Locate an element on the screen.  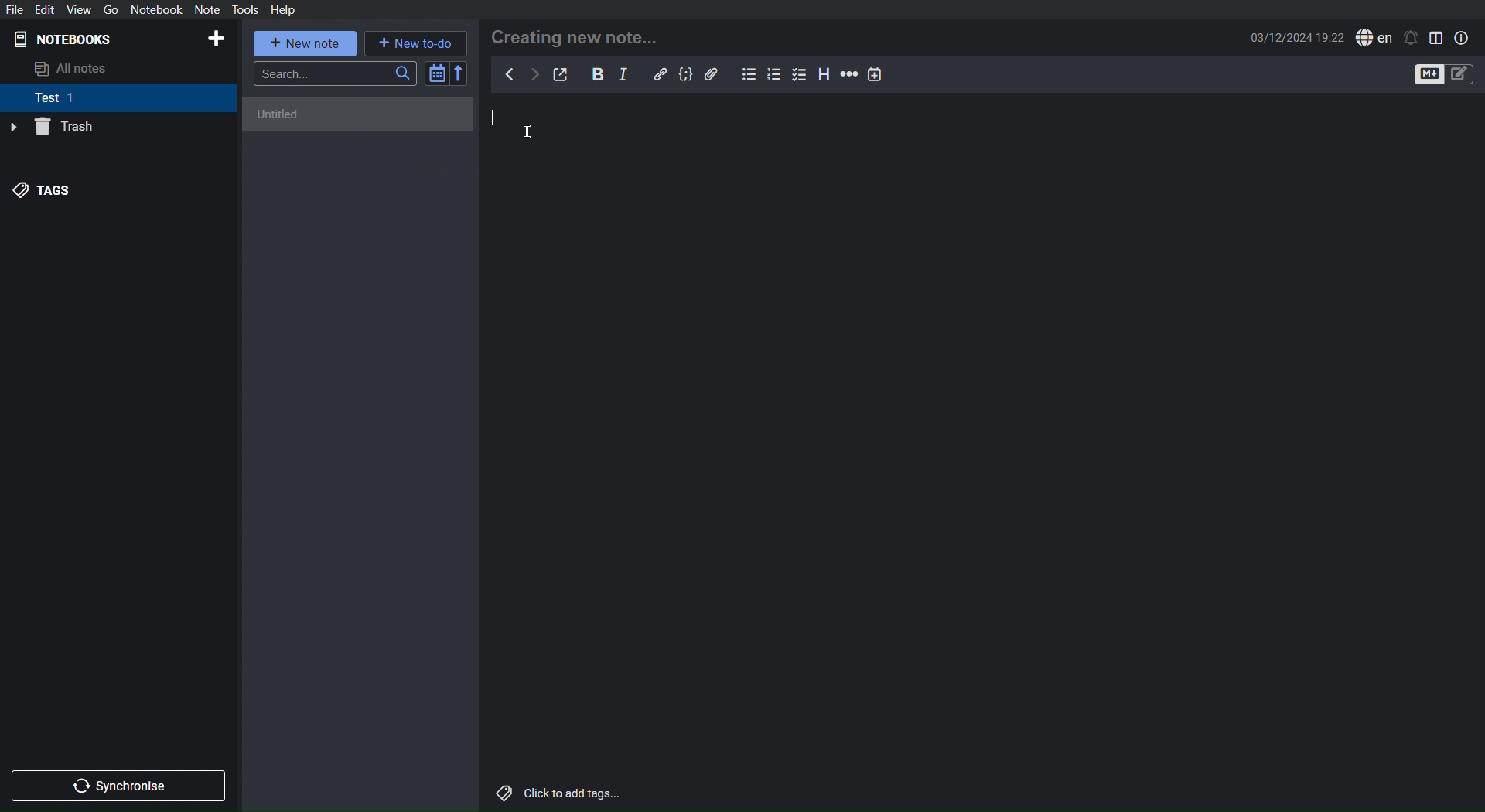
Trash is located at coordinates (53, 128).